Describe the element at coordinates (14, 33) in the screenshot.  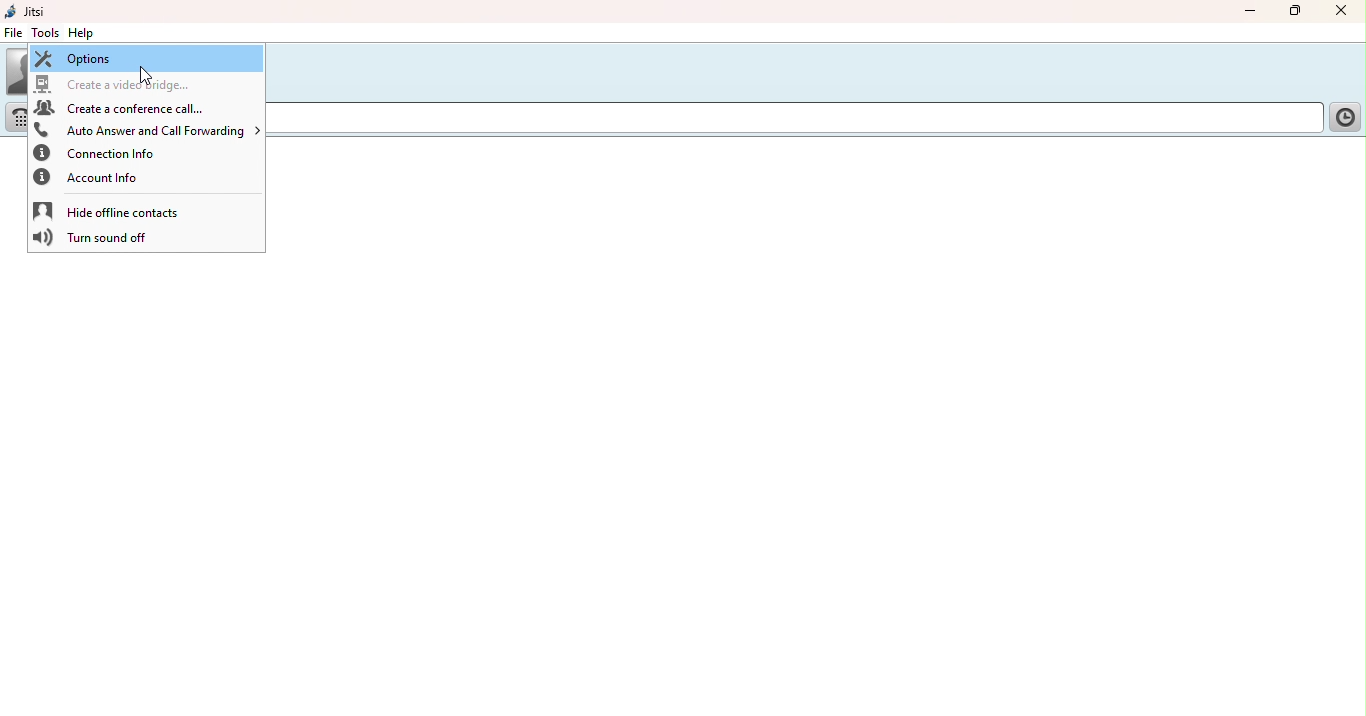
I see `File` at that location.